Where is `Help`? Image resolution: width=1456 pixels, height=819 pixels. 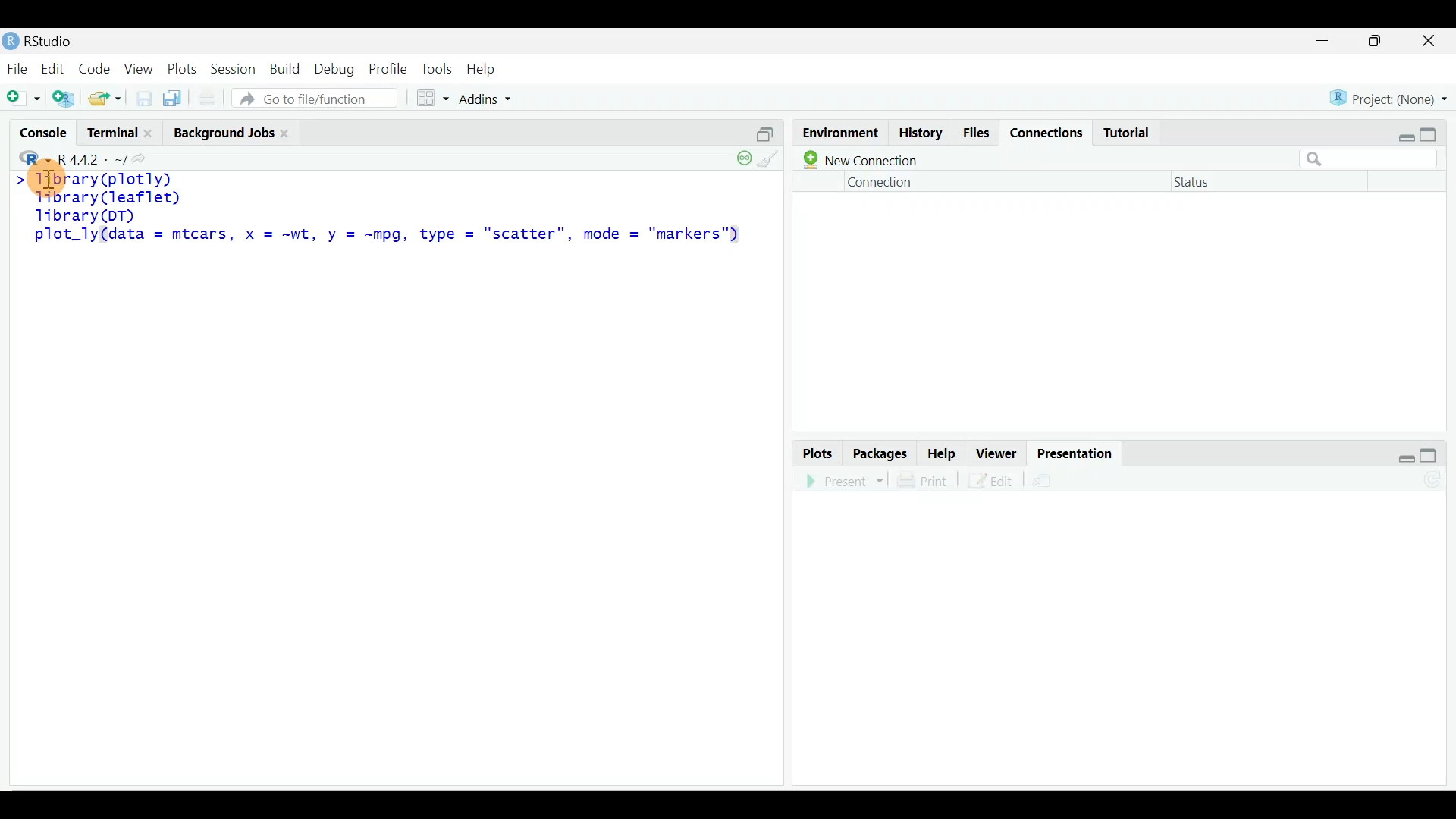
Help is located at coordinates (482, 66).